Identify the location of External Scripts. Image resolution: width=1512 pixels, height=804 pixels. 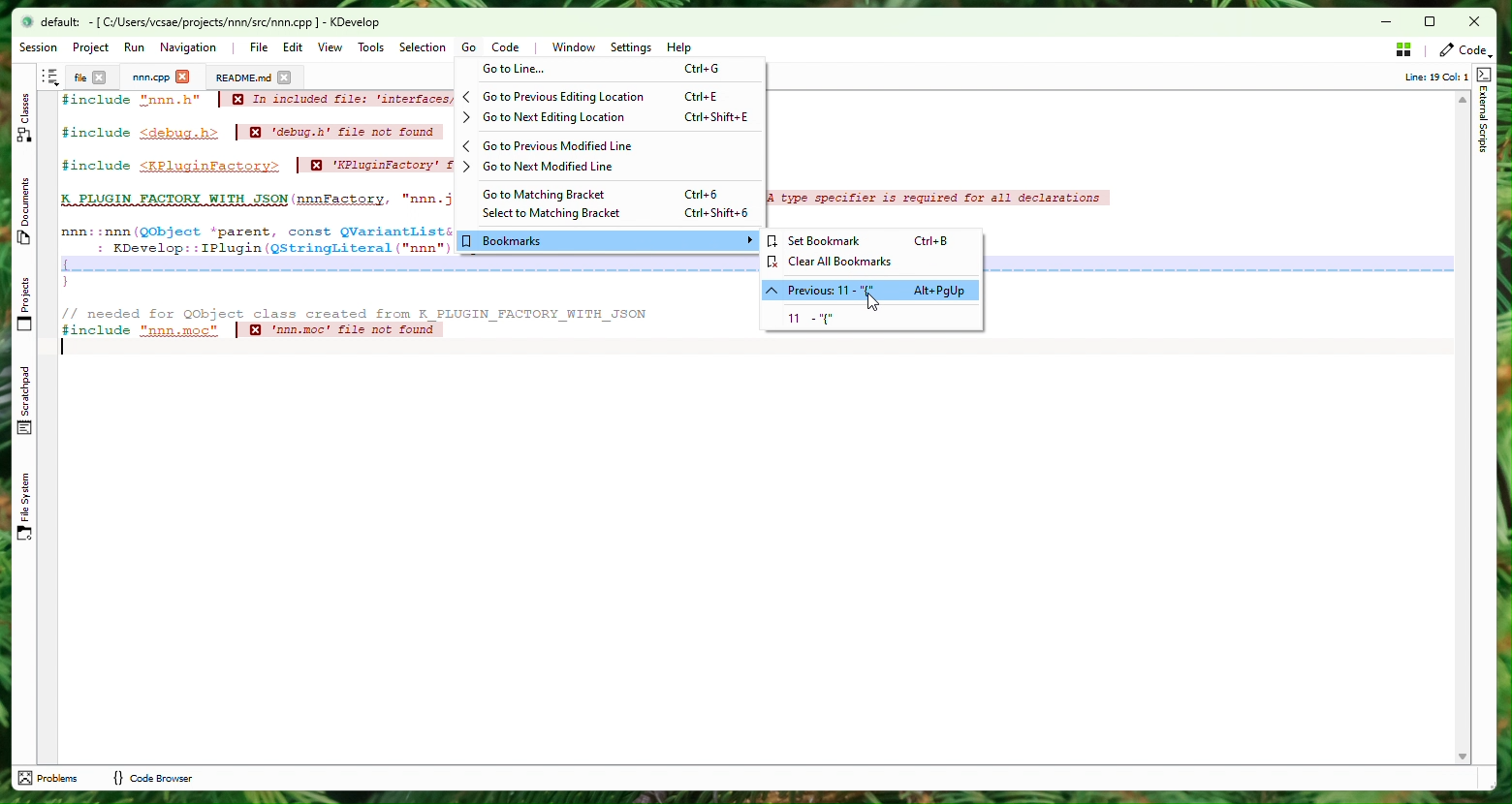
(1484, 113).